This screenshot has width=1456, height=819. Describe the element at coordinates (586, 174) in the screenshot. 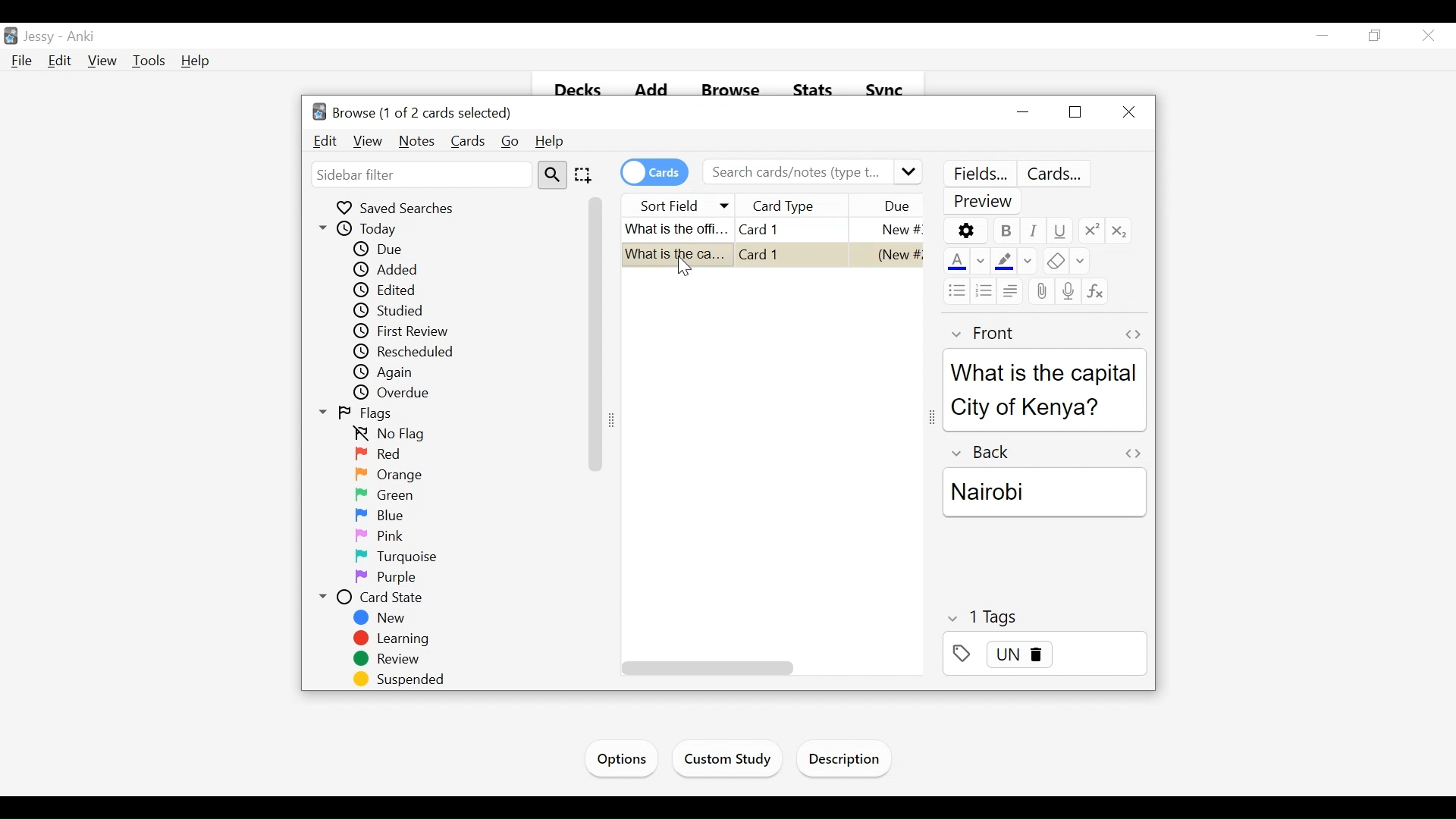

I see `` at that location.